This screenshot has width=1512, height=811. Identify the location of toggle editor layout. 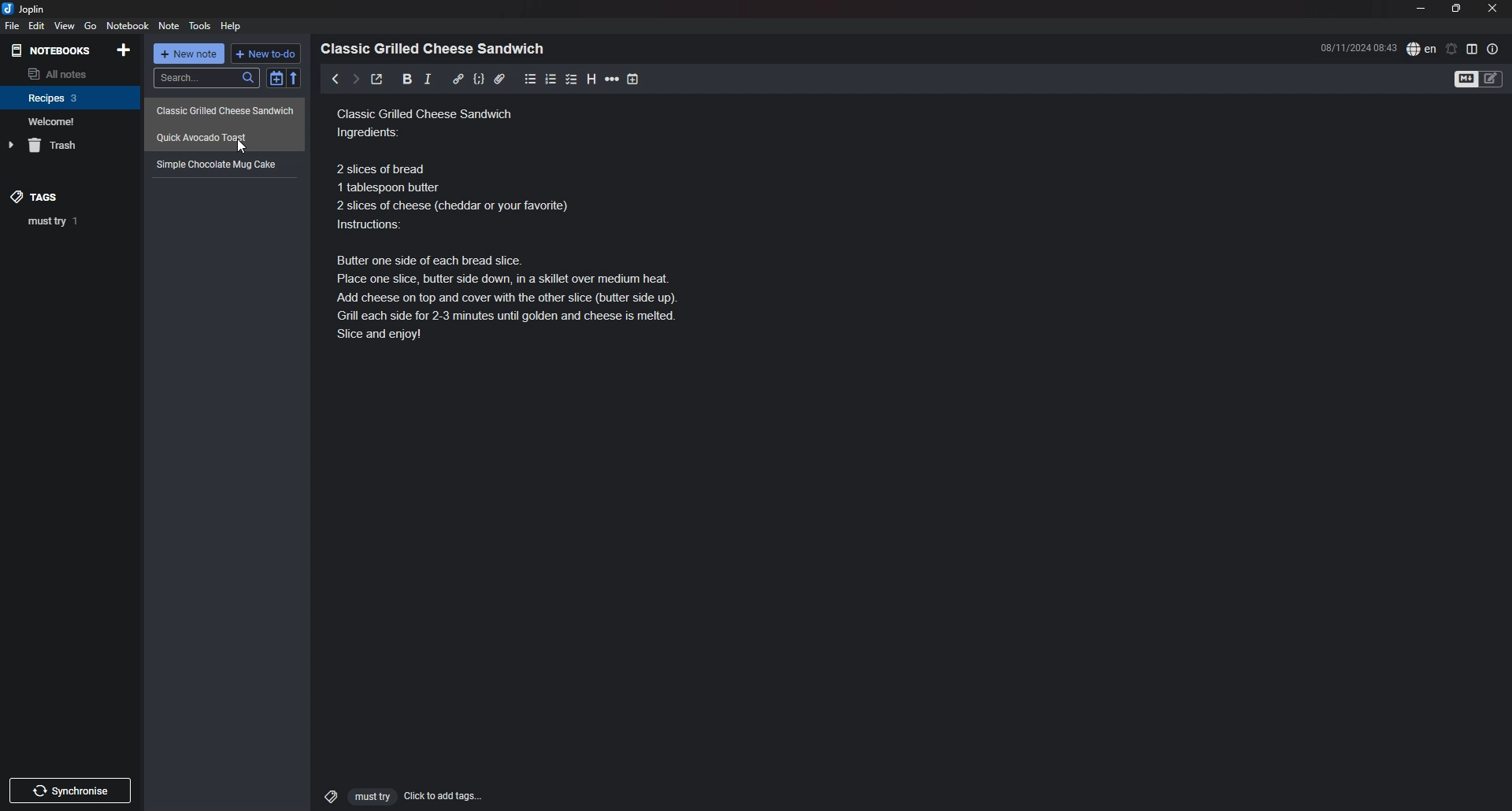
(1473, 49).